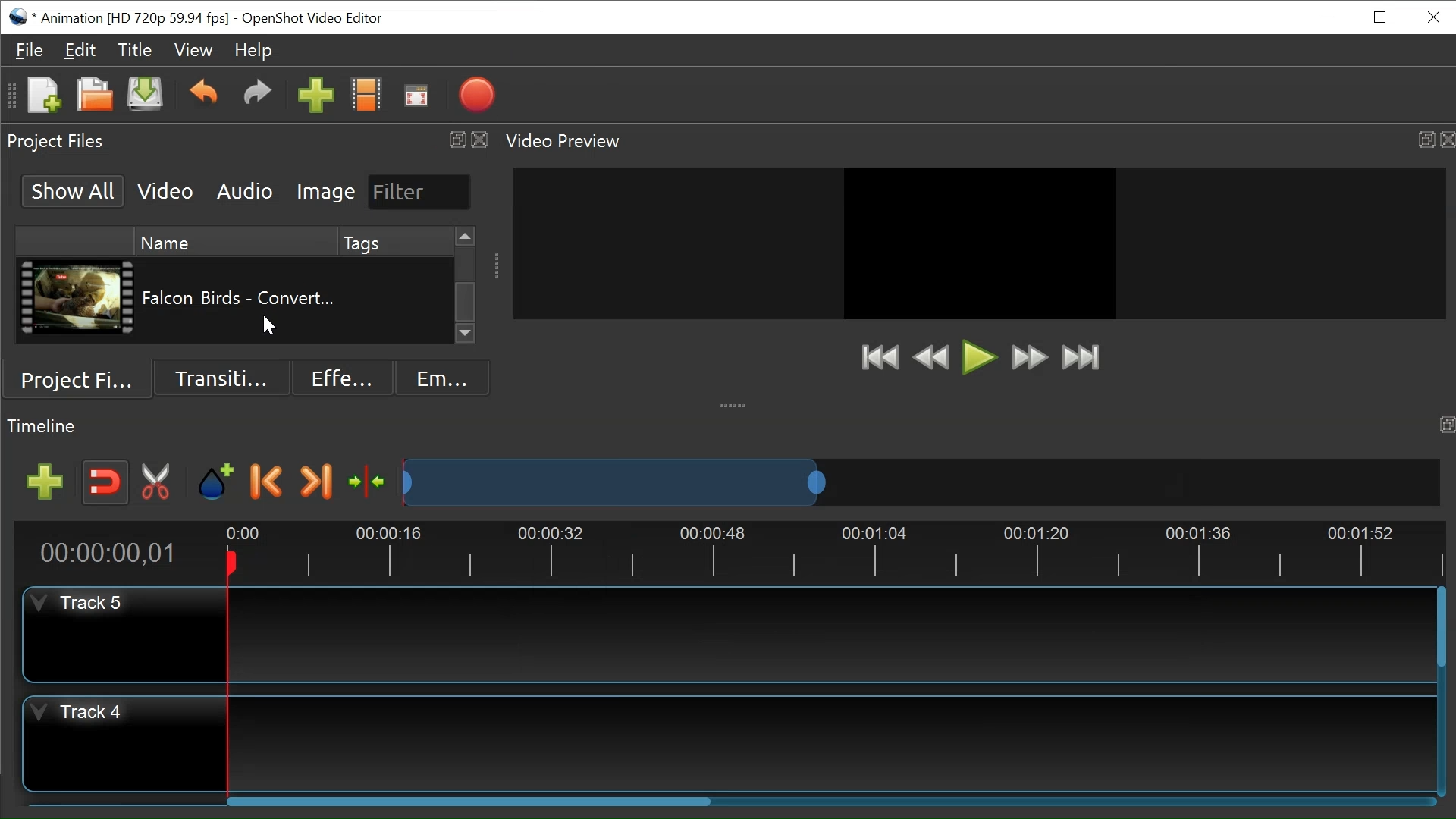  I want to click on OpenShot Desktop Icon, so click(19, 16).